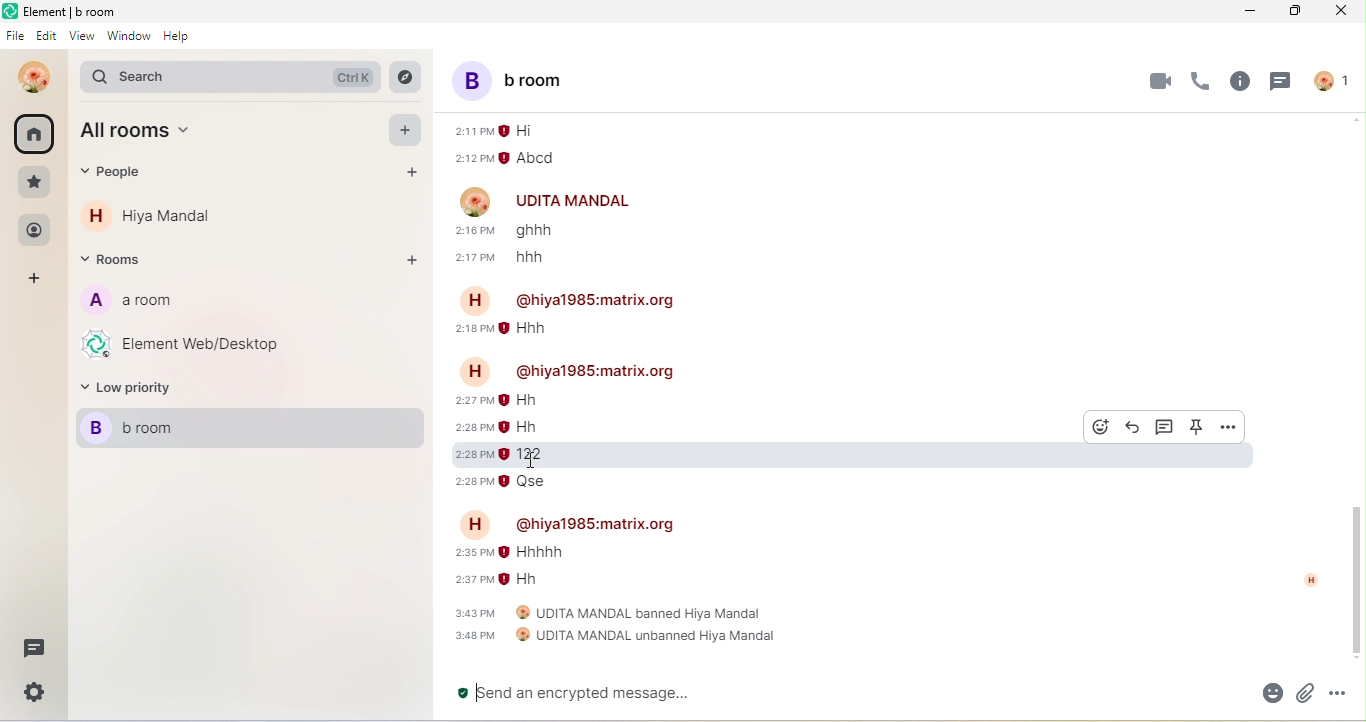 The image size is (1366, 722). I want to click on add people, so click(413, 176).